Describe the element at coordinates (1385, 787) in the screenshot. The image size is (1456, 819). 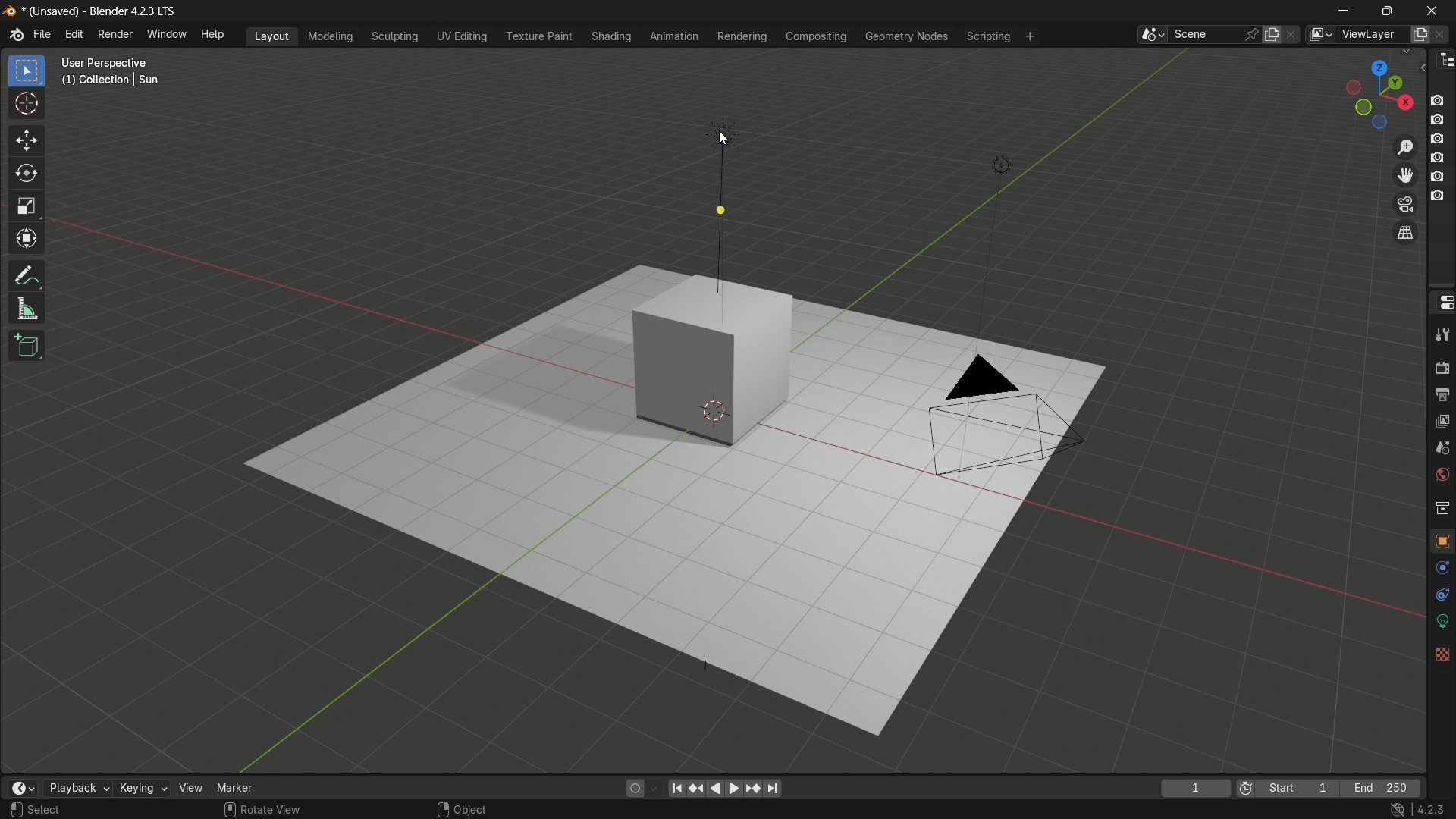
I see `end 250` at that location.